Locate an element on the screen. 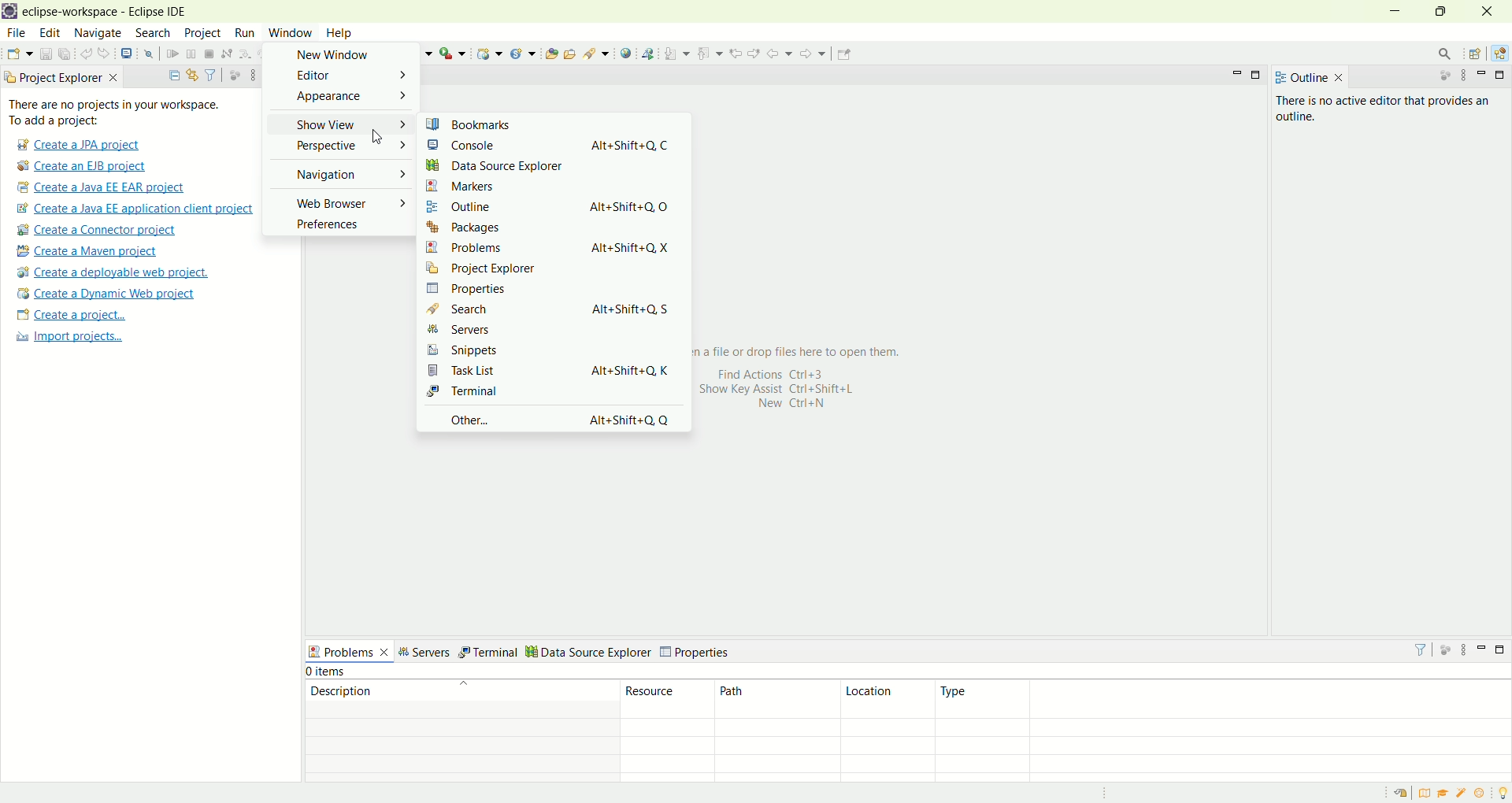 The width and height of the screenshot is (1512, 803). task list is located at coordinates (502, 371).